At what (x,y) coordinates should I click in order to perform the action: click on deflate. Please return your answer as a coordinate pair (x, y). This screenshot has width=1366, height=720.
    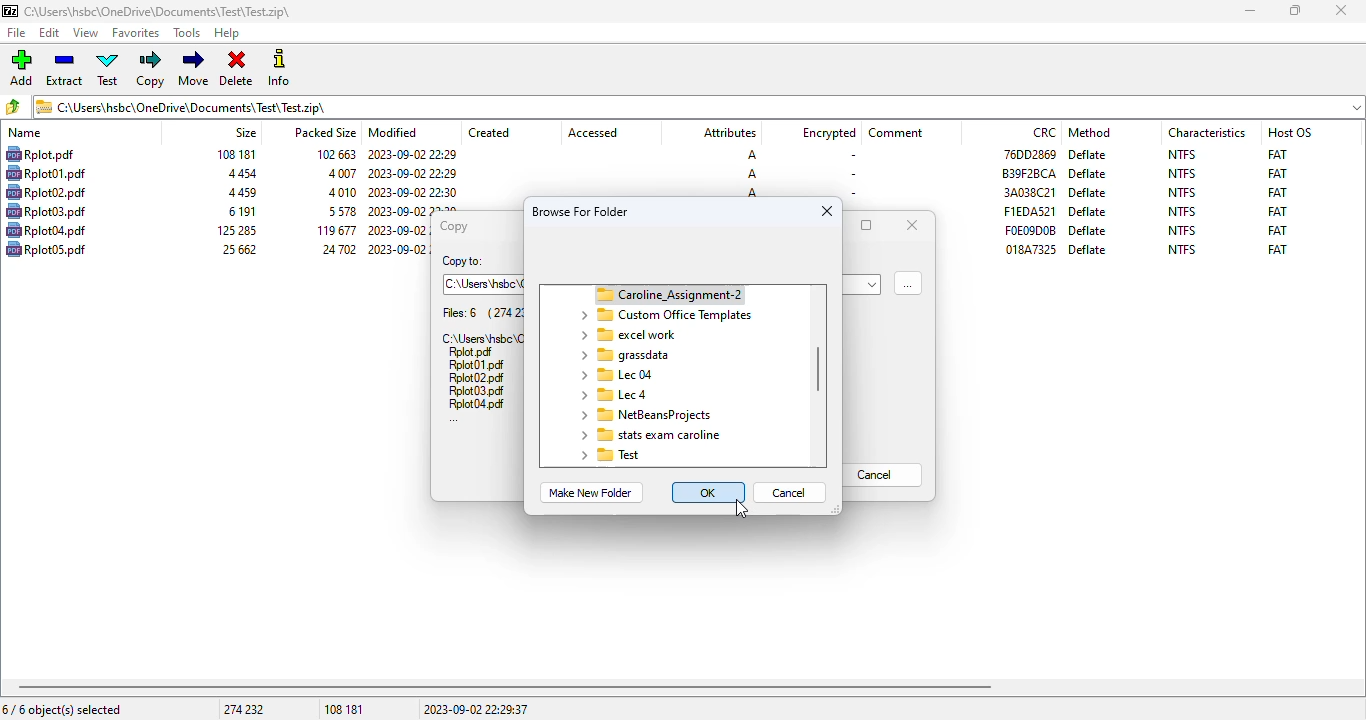
    Looking at the image, I should click on (1087, 212).